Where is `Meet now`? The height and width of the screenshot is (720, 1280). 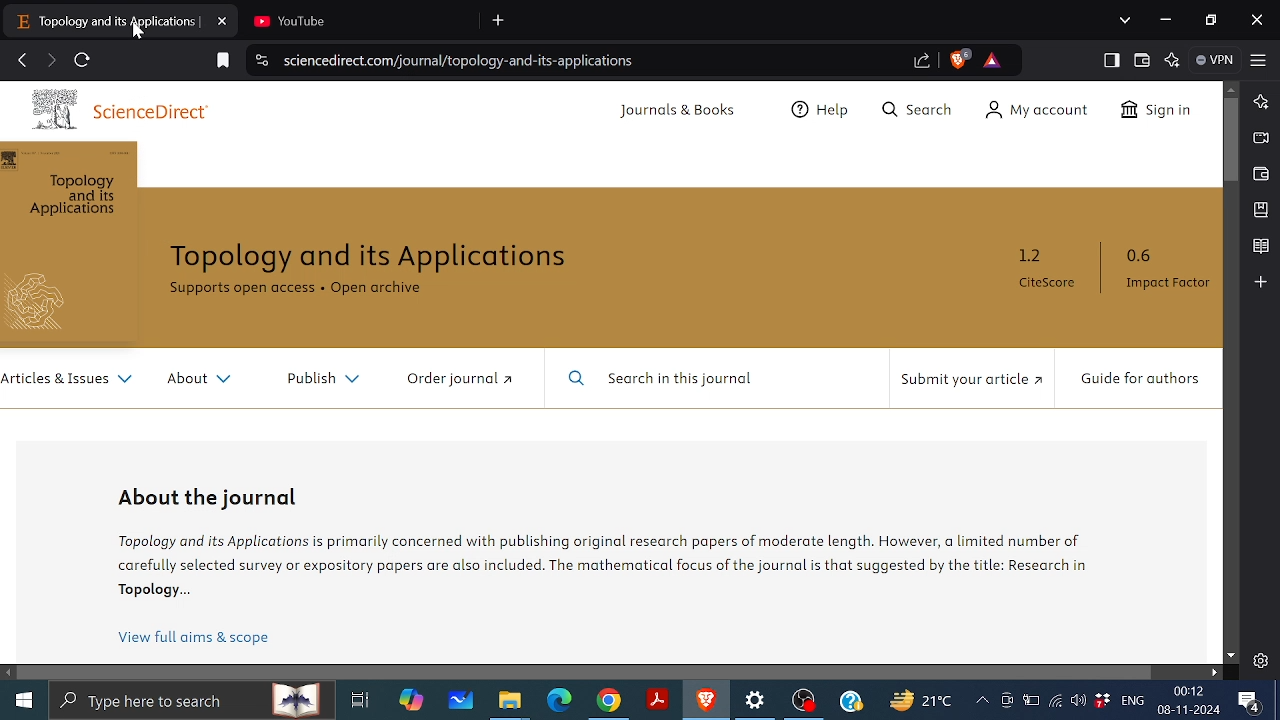 Meet now is located at coordinates (1006, 700).